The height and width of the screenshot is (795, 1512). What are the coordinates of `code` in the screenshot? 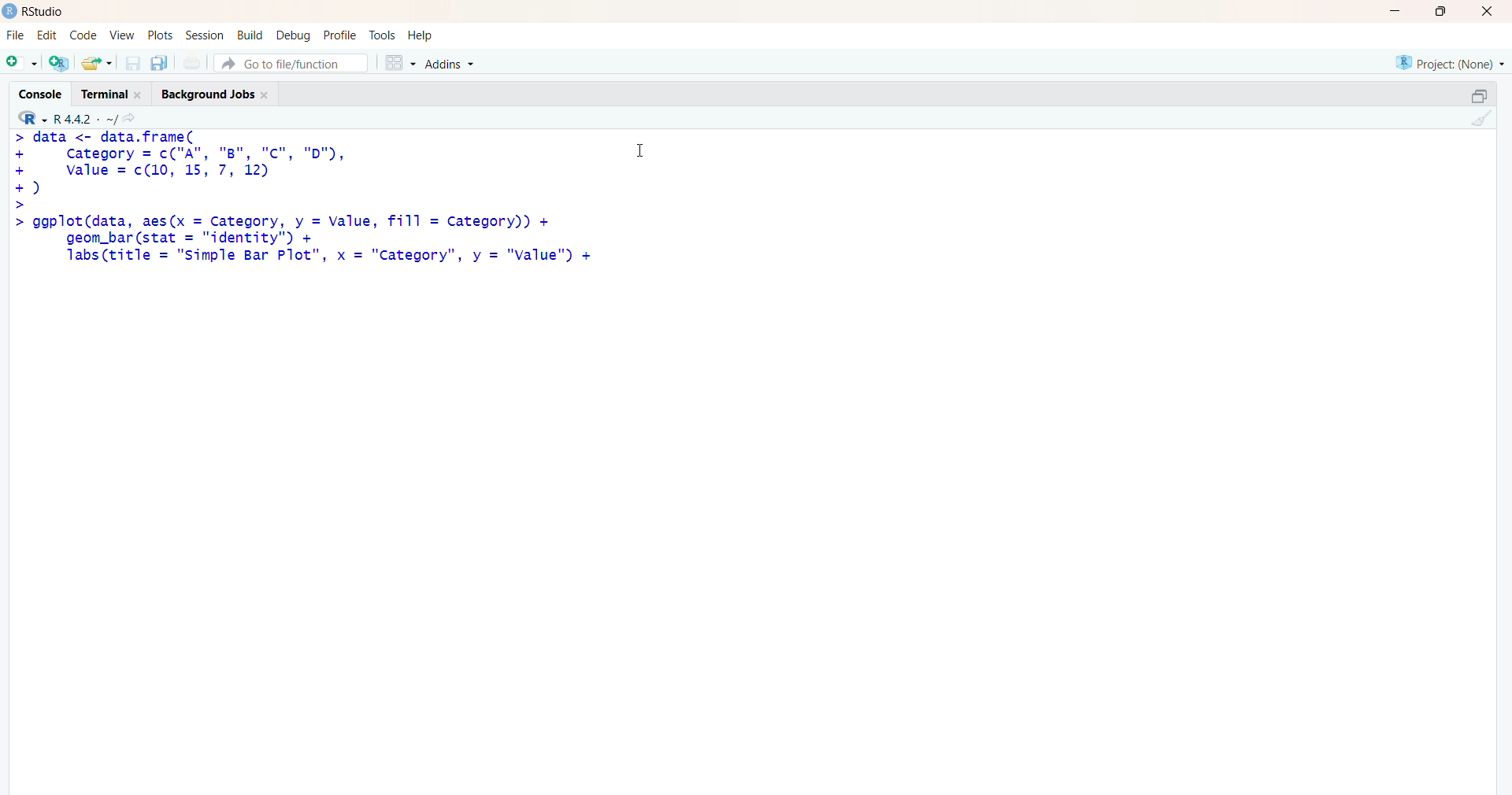 It's located at (83, 35).